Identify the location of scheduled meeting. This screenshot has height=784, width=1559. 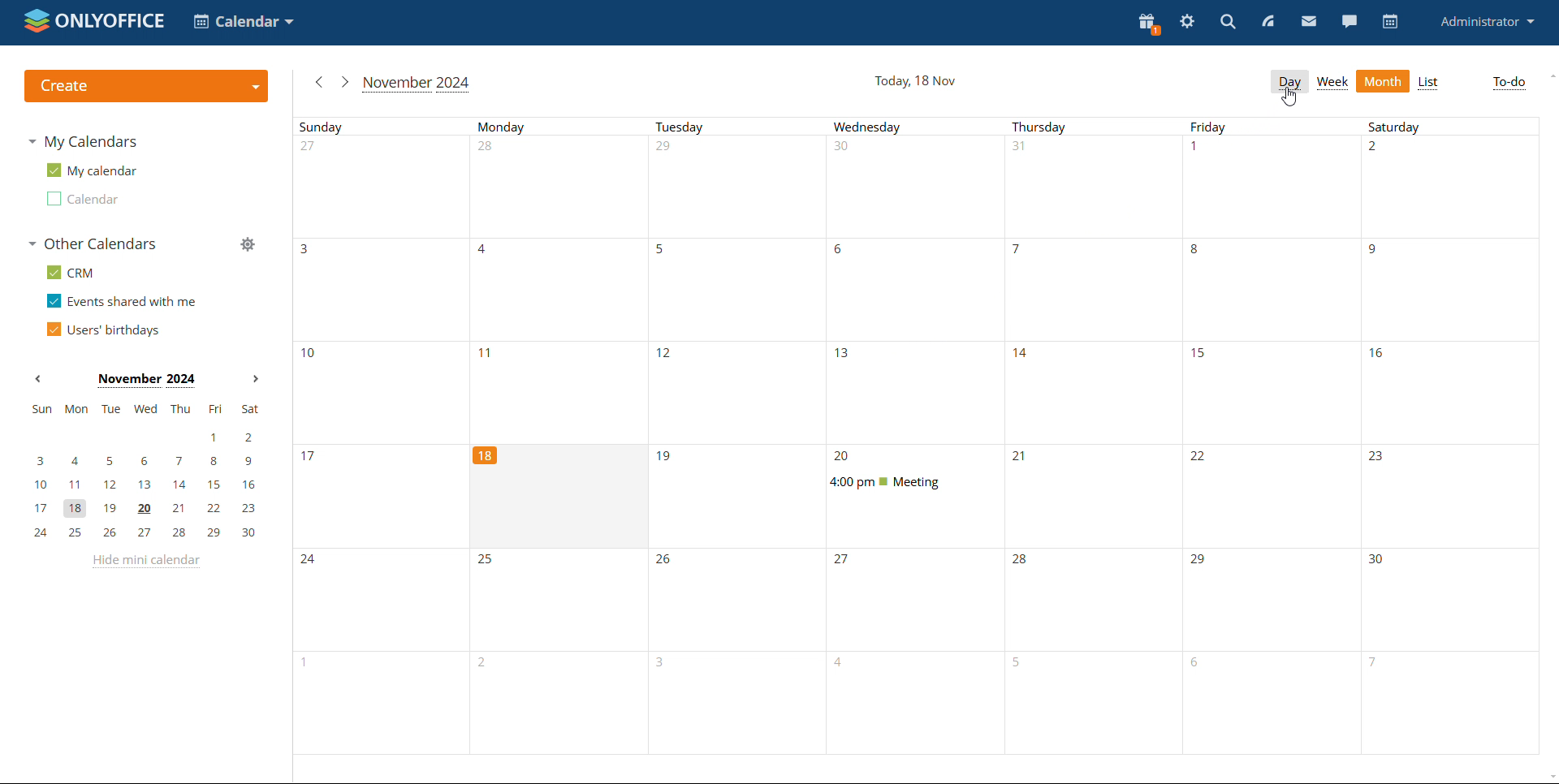
(918, 482).